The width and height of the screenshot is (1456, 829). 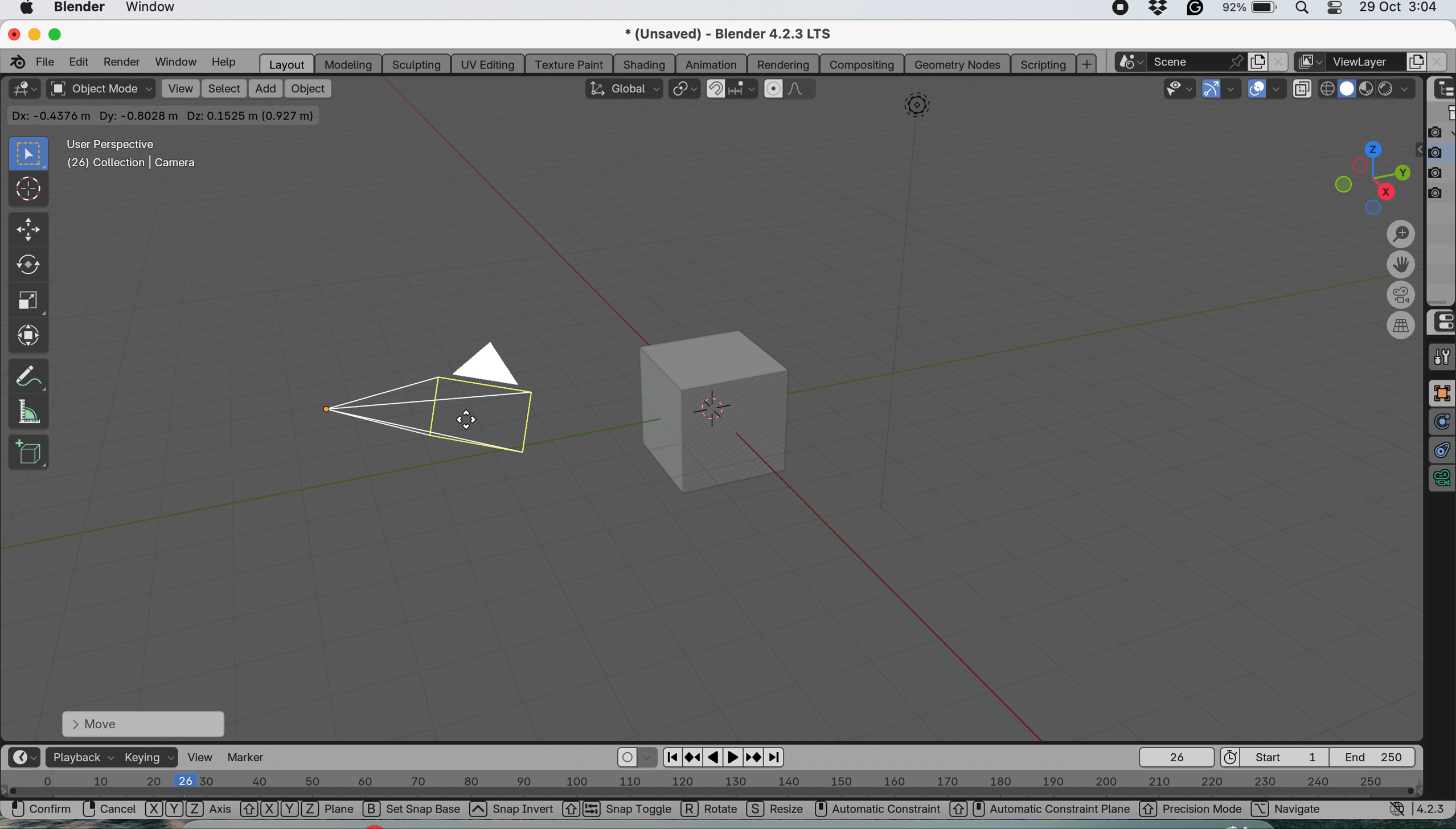 What do you see at coordinates (784, 65) in the screenshot?
I see `rendering` at bounding box center [784, 65].